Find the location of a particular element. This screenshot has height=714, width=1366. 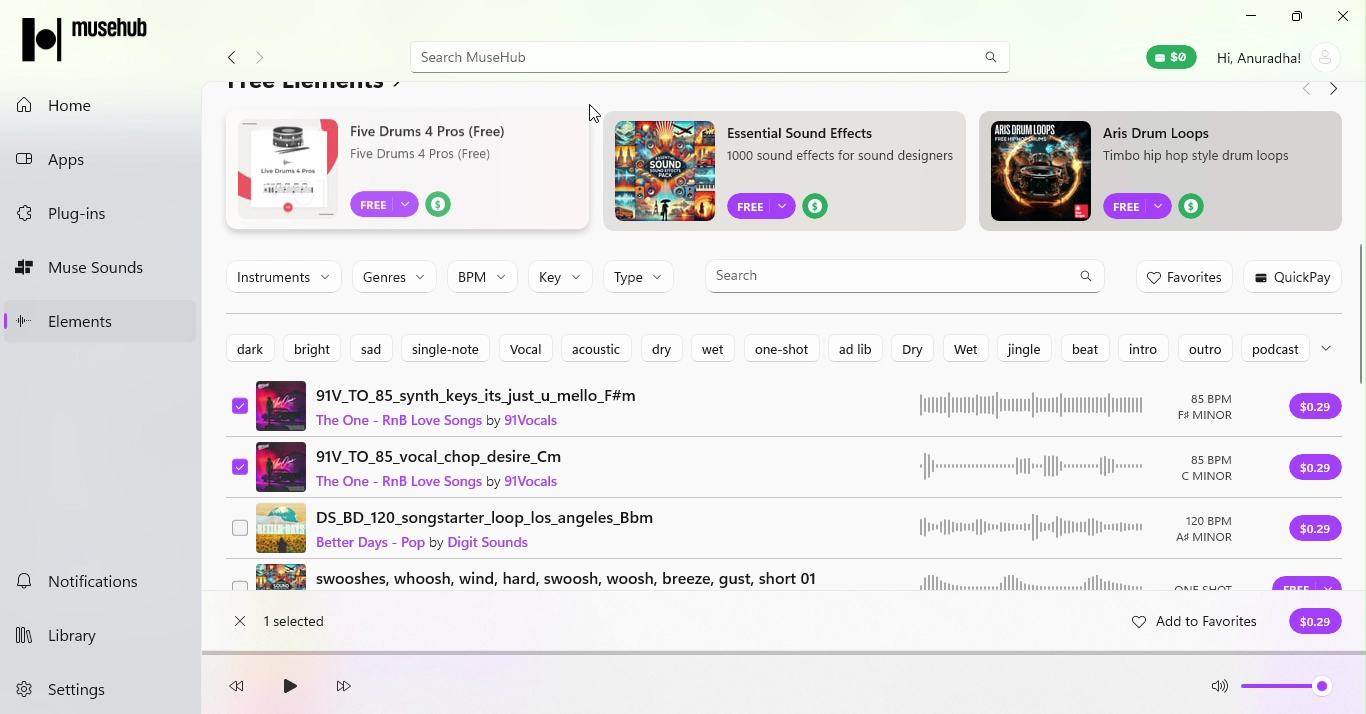

Podcast is located at coordinates (1273, 350).